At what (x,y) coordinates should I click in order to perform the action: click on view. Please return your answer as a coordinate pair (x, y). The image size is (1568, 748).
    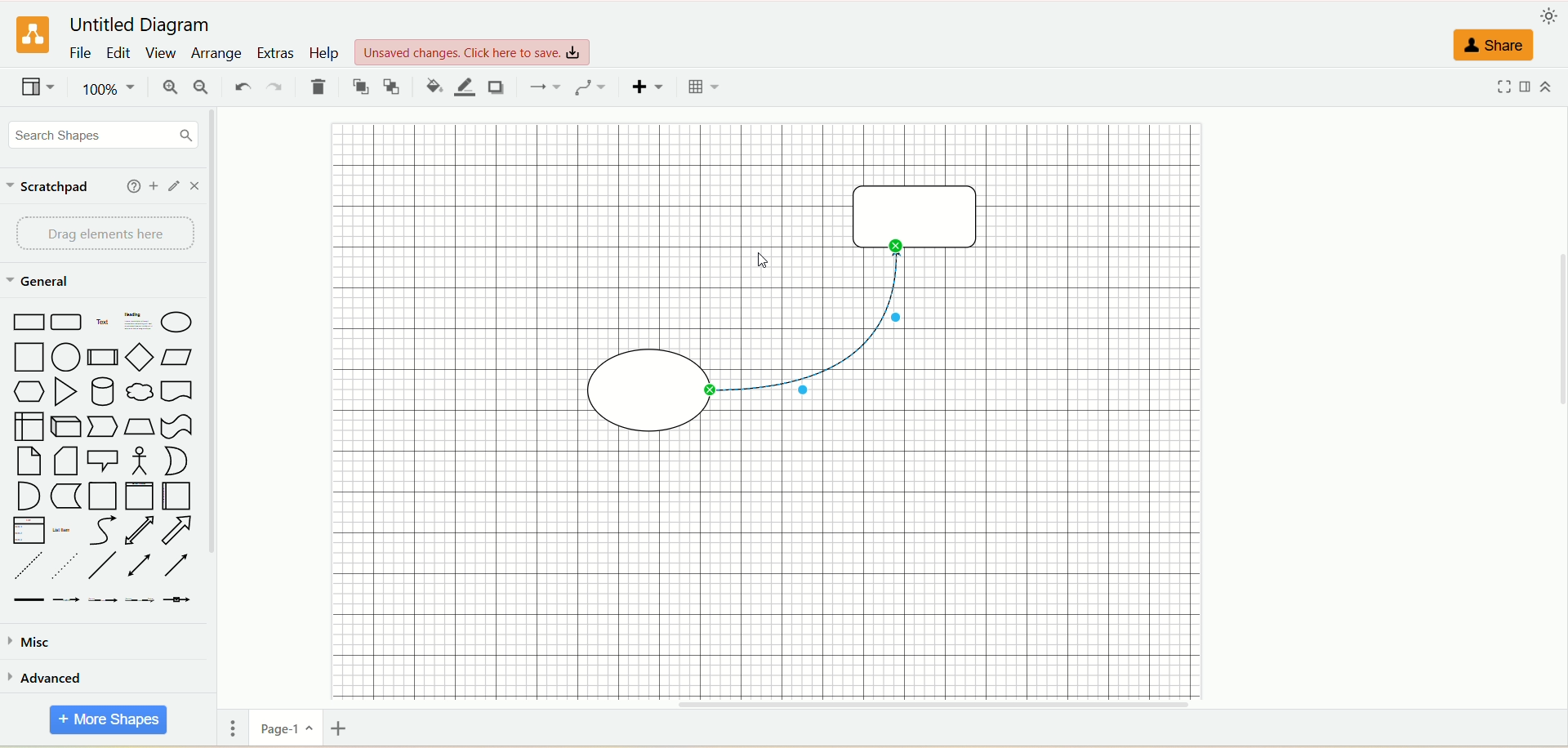
    Looking at the image, I should click on (163, 53).